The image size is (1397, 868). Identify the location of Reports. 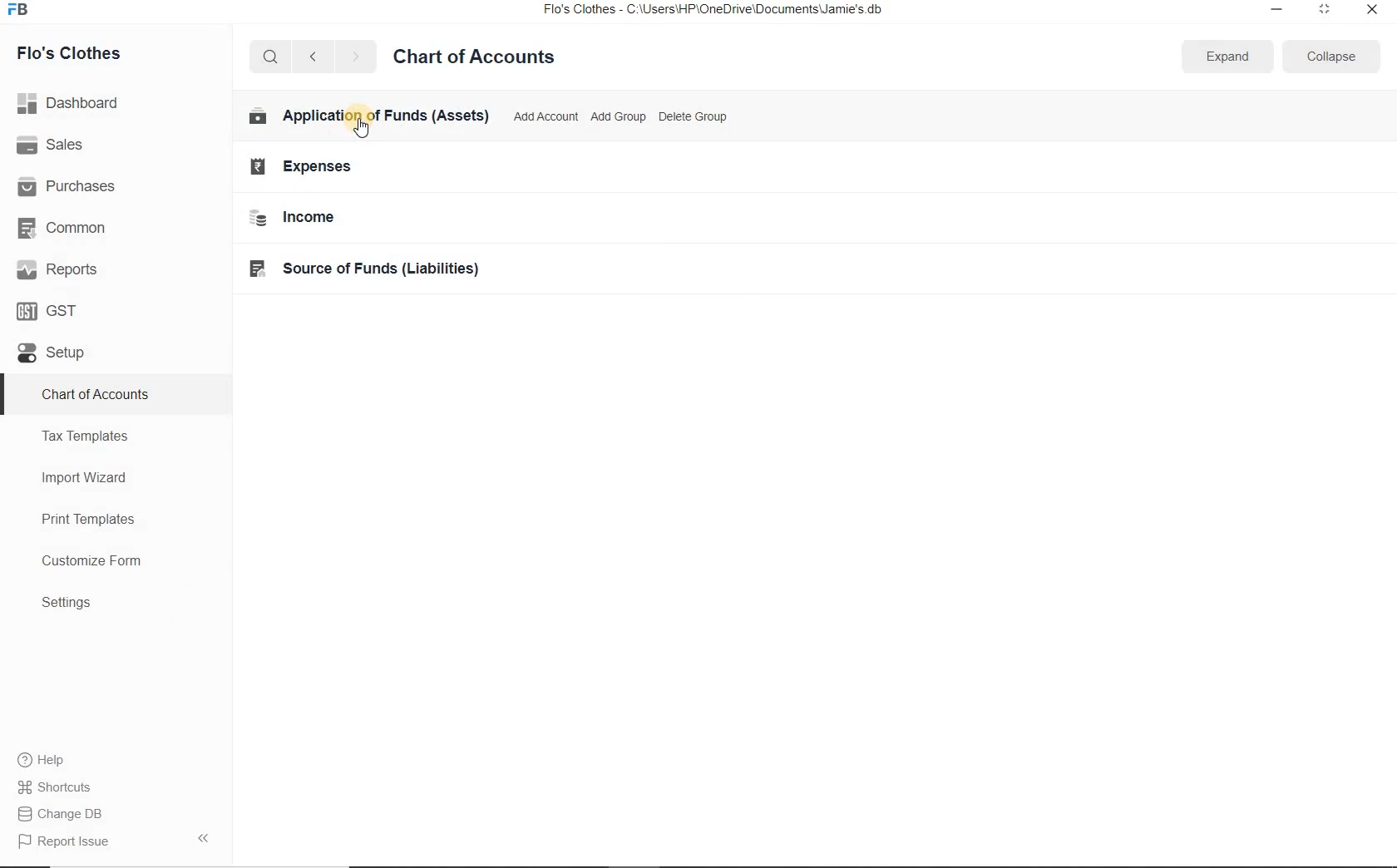
(58, 270).